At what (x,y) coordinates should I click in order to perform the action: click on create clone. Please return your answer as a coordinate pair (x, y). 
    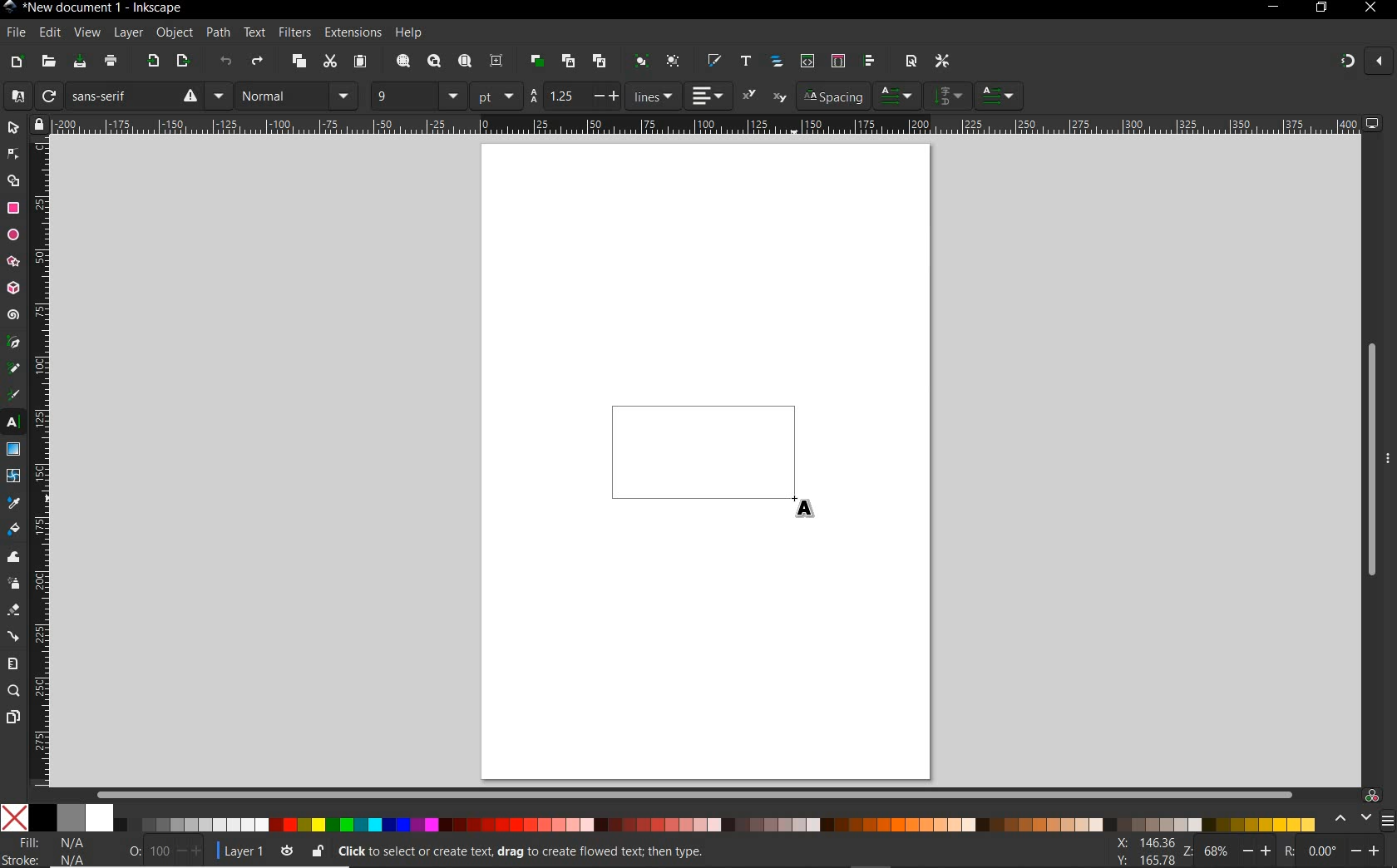
    Looking at the image, I should click on (566, 62).